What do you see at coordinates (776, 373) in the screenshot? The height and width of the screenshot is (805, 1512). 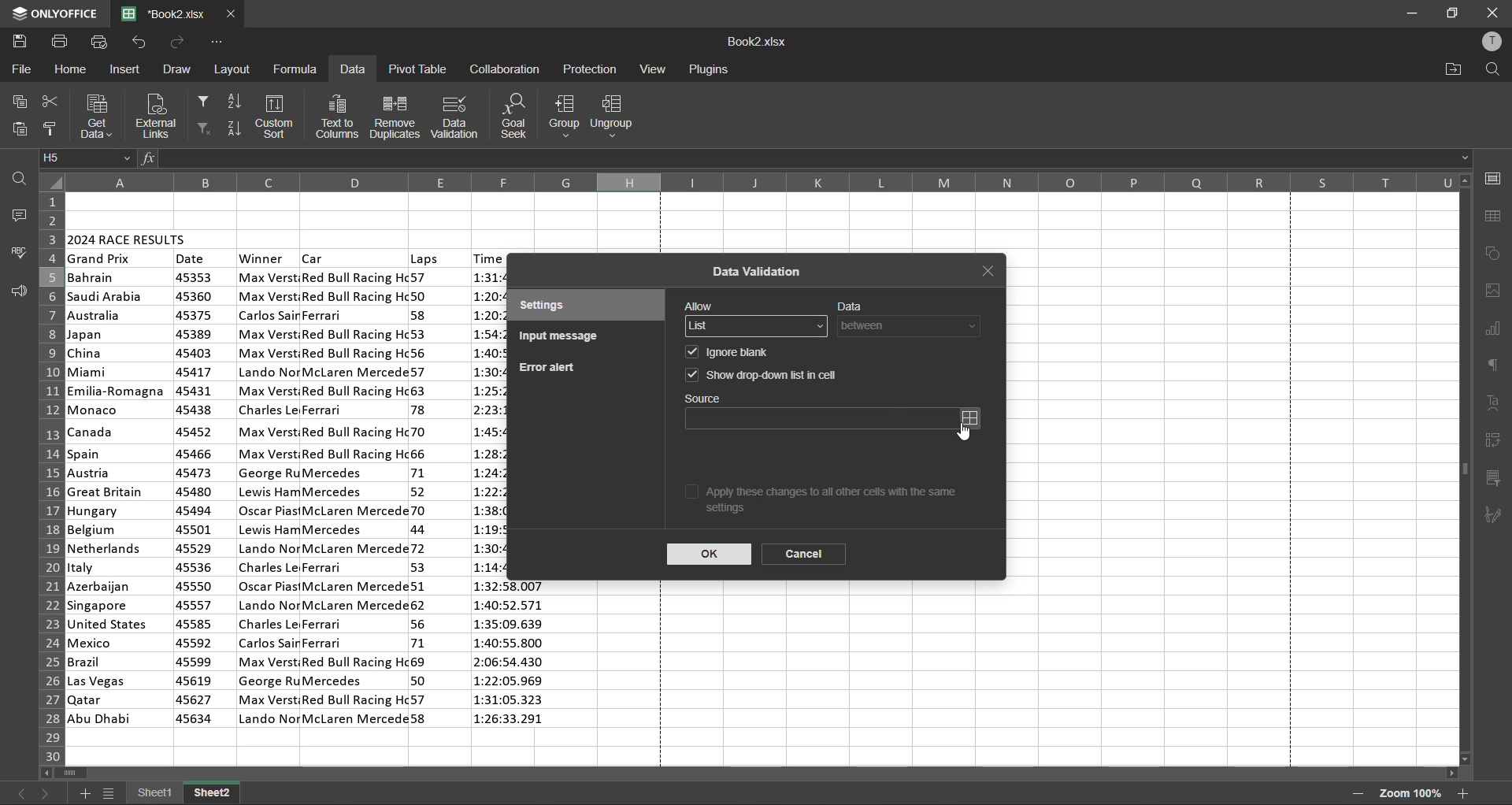 I see `show drop-down list in cell` at bounding box center [776, 373].